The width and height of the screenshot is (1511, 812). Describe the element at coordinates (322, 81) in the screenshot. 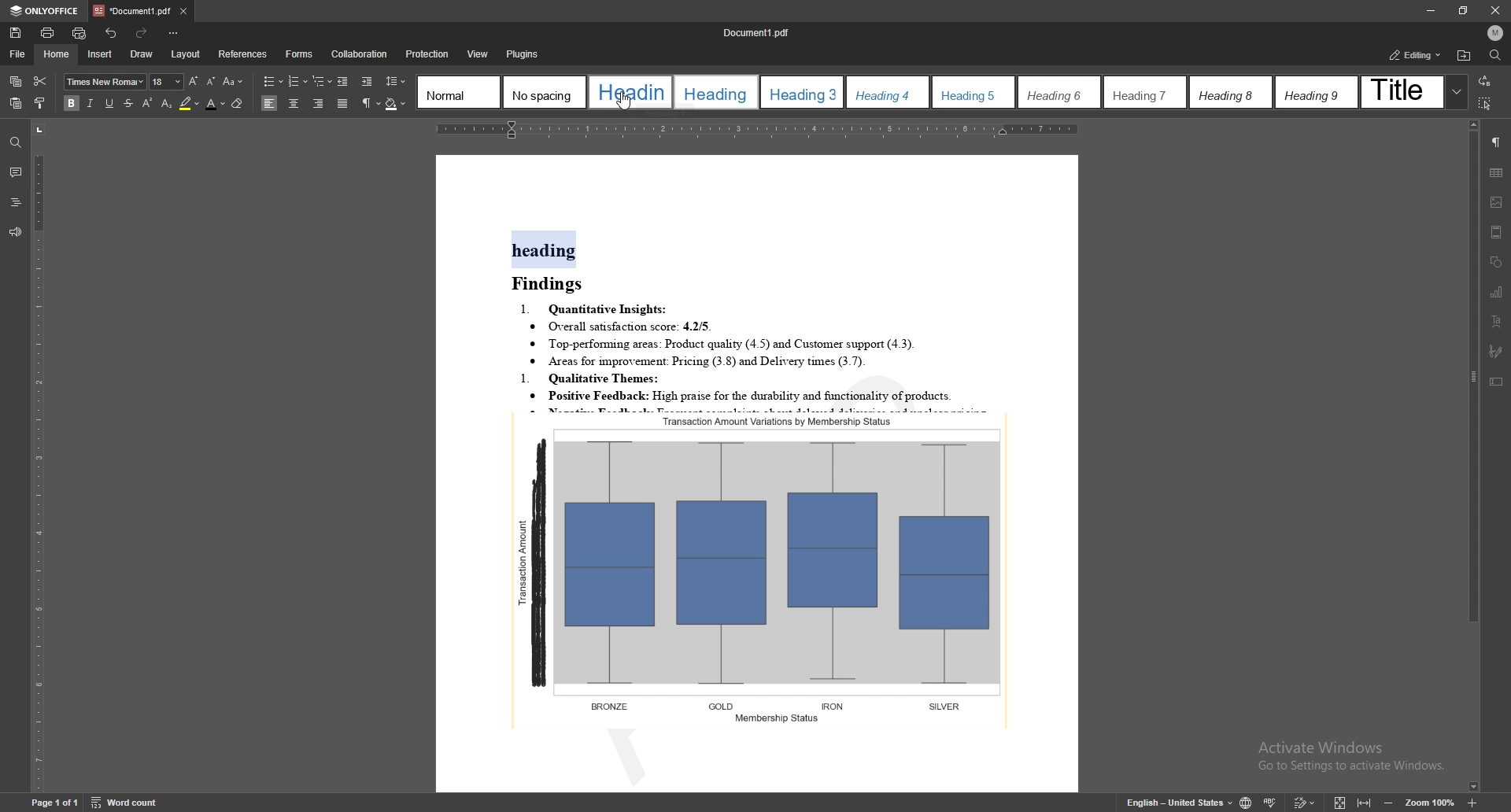

I see `multilevel list` at that location.